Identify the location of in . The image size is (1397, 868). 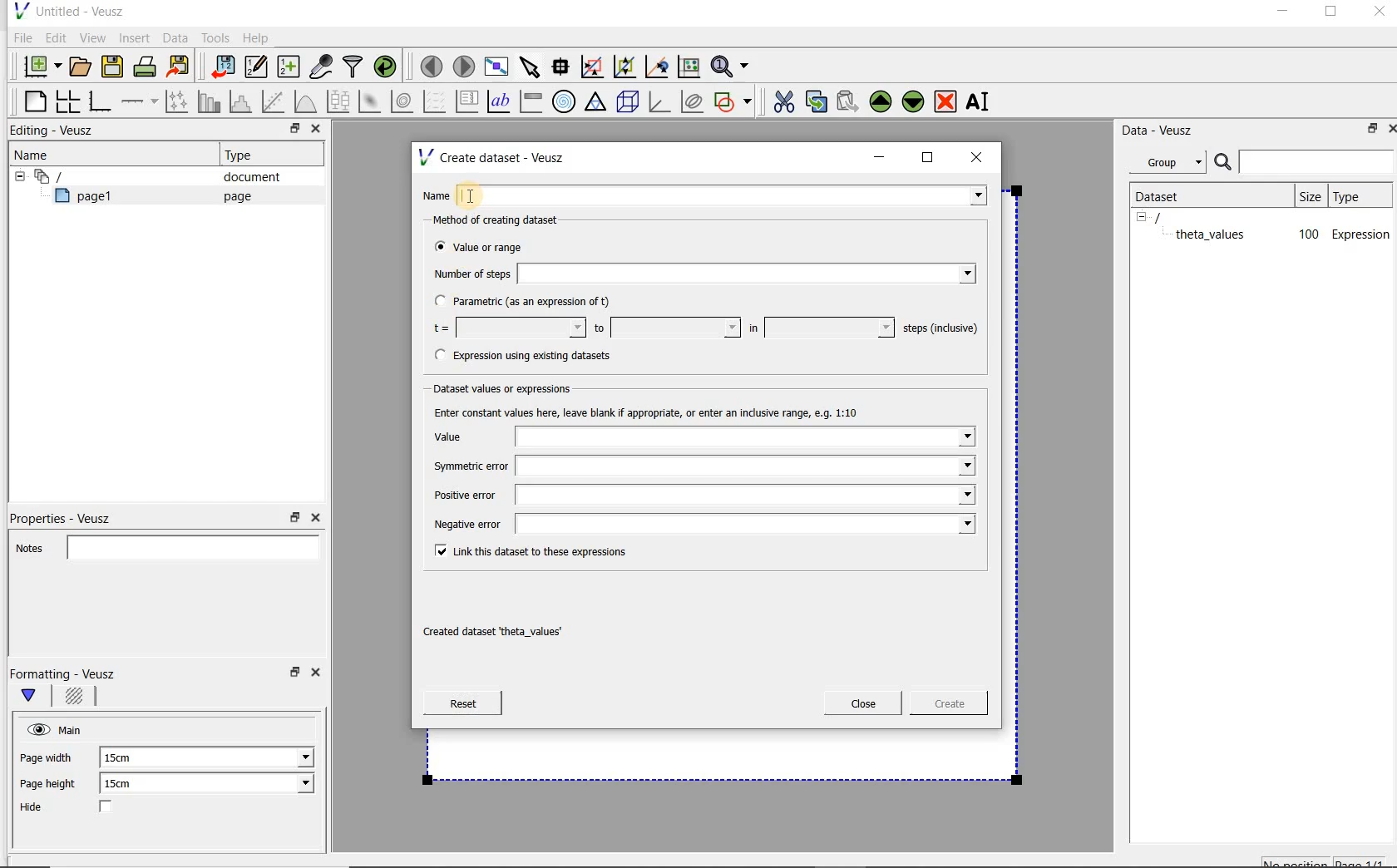
(819, 328).